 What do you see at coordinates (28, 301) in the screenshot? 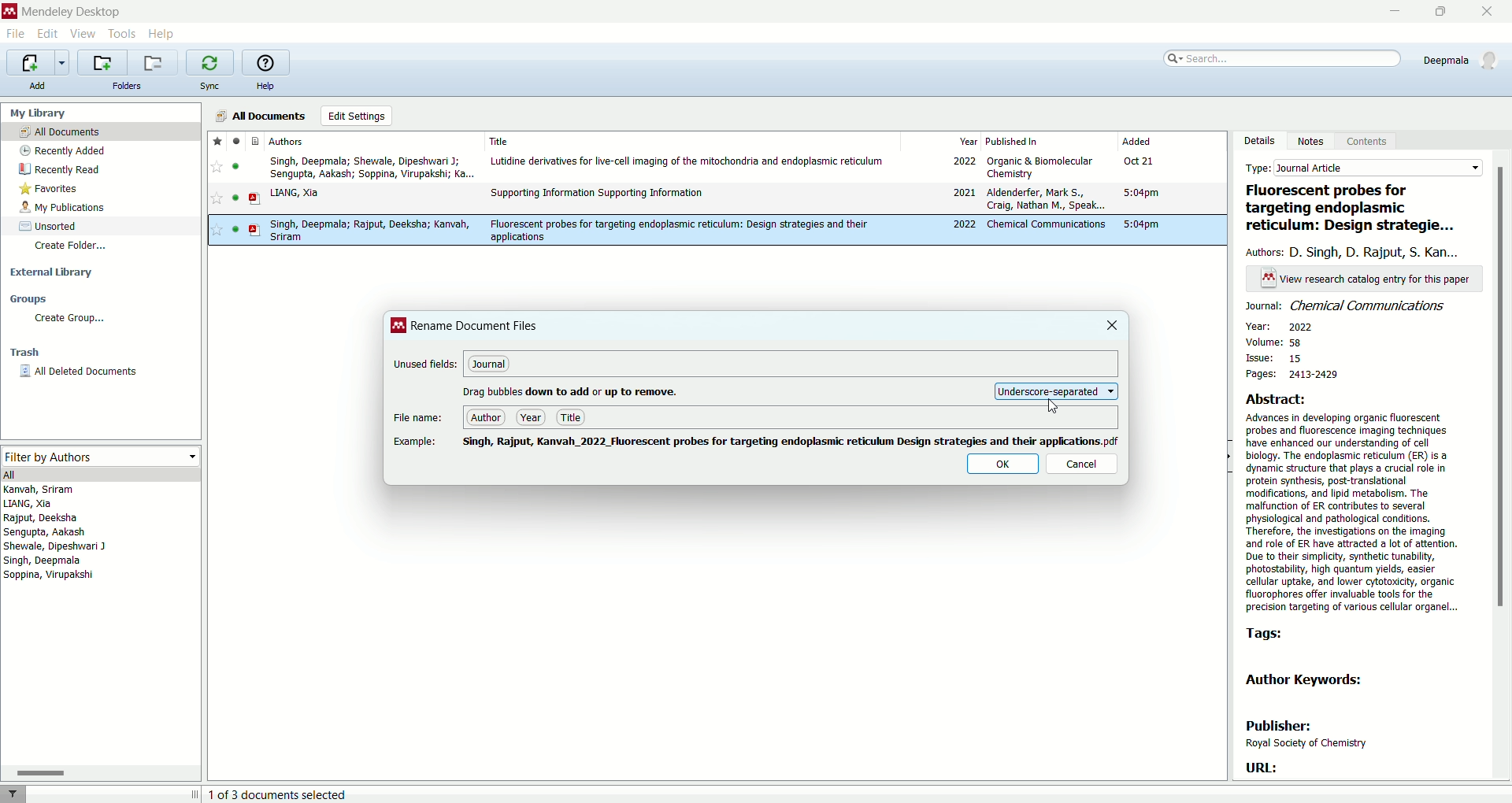
I see `groups` at bounding box center [28, 301].